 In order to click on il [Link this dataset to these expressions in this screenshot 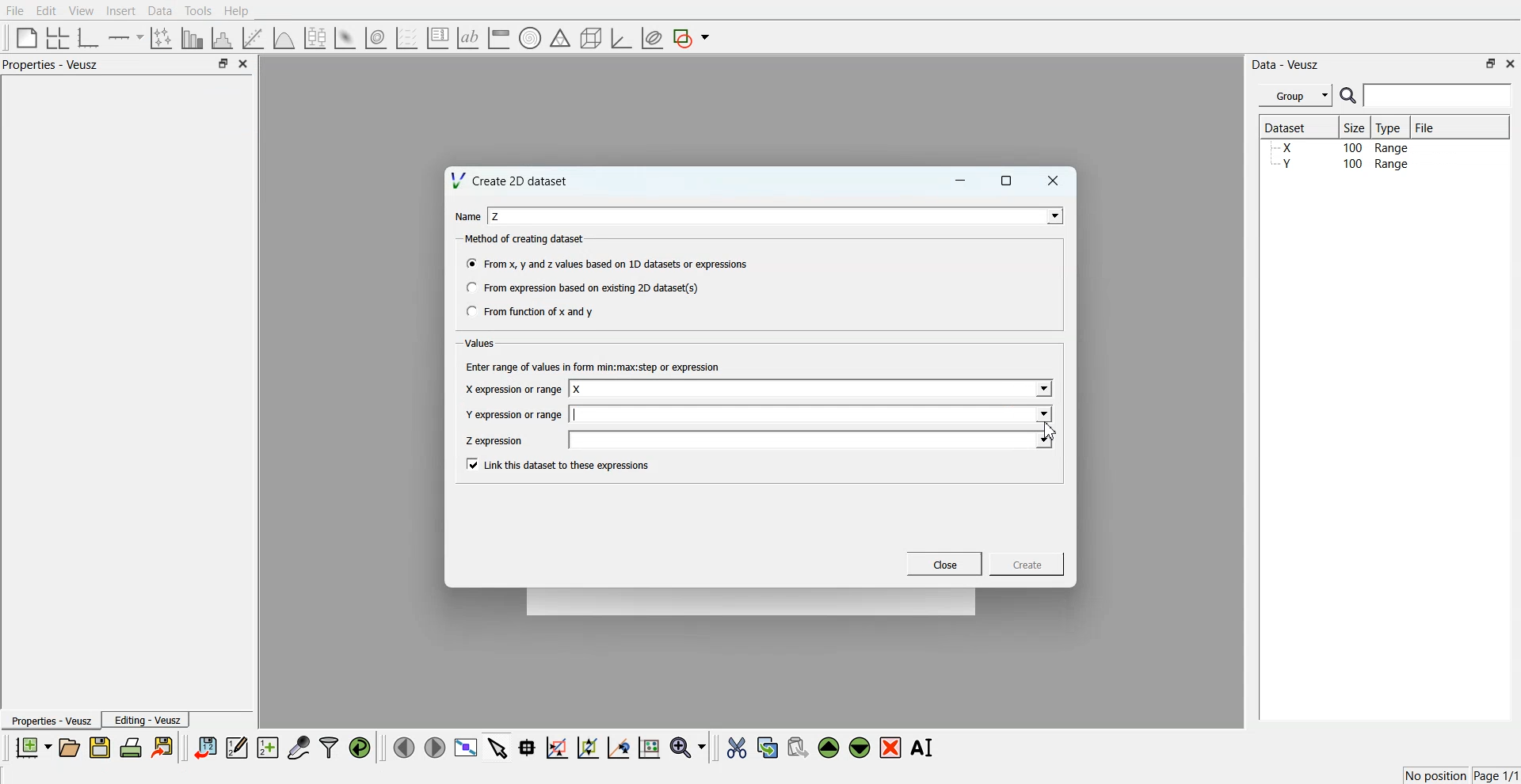, I will do `click(559, 464)`.